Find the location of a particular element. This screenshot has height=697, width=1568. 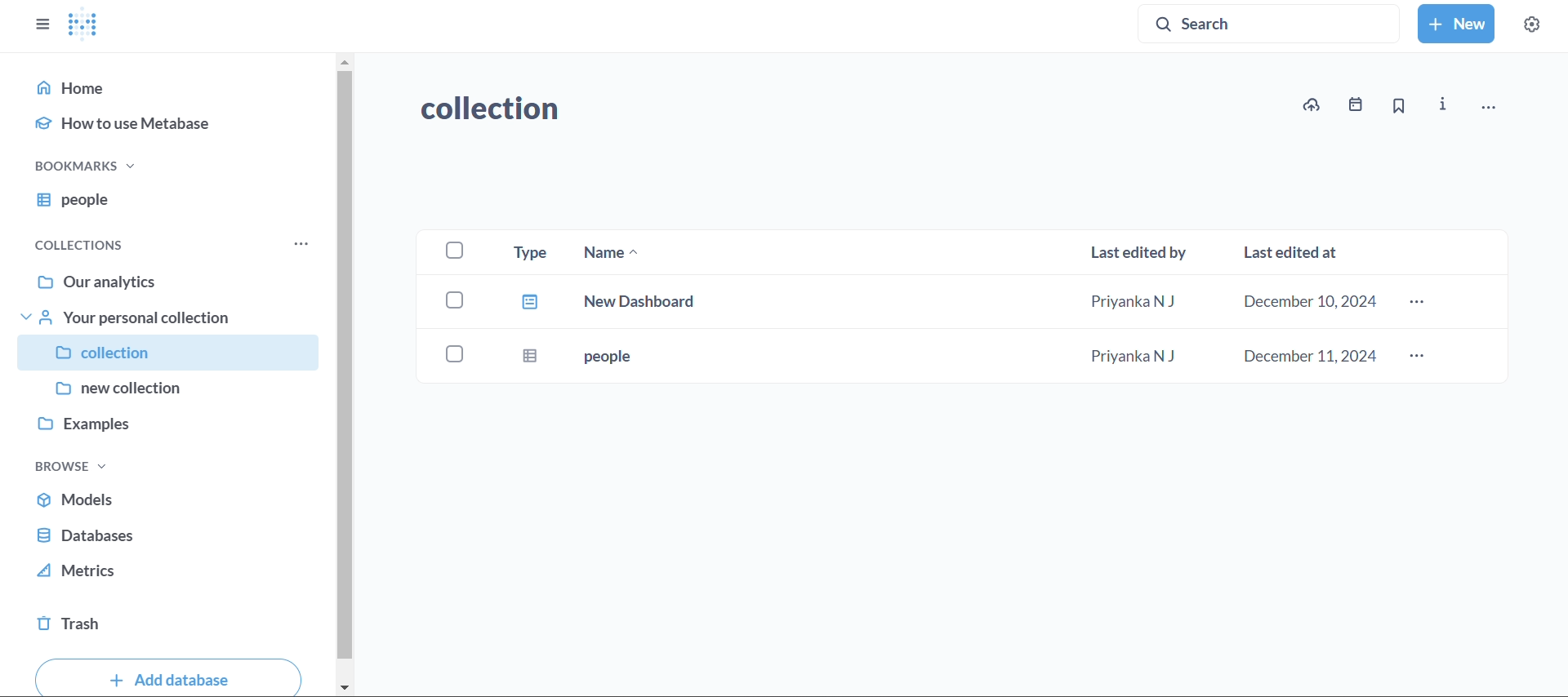

settings is located at coordinates (1532, 22).